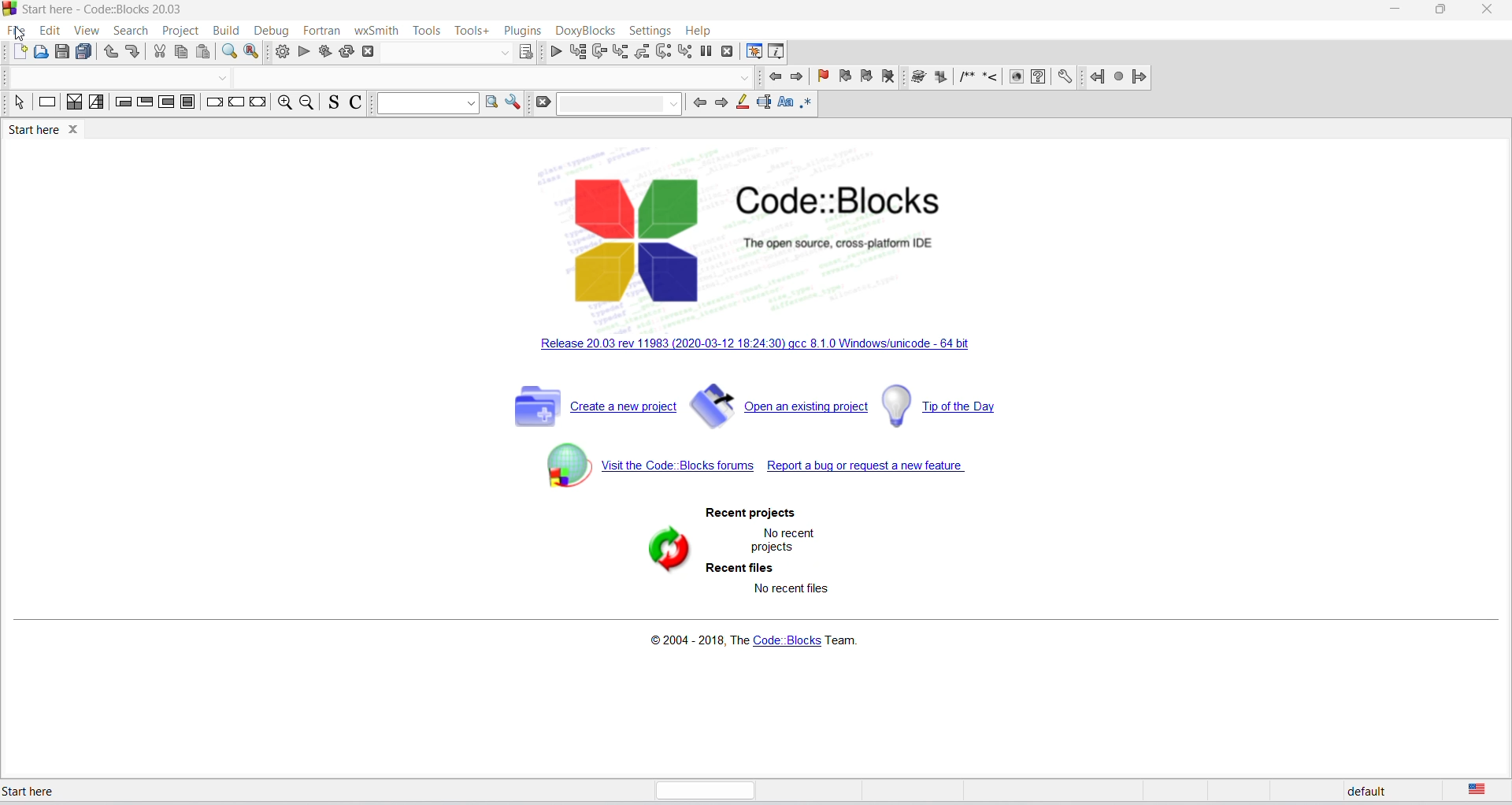 This screenshot has height=805, width=1512. I want to click on step into, so click(617, 53).